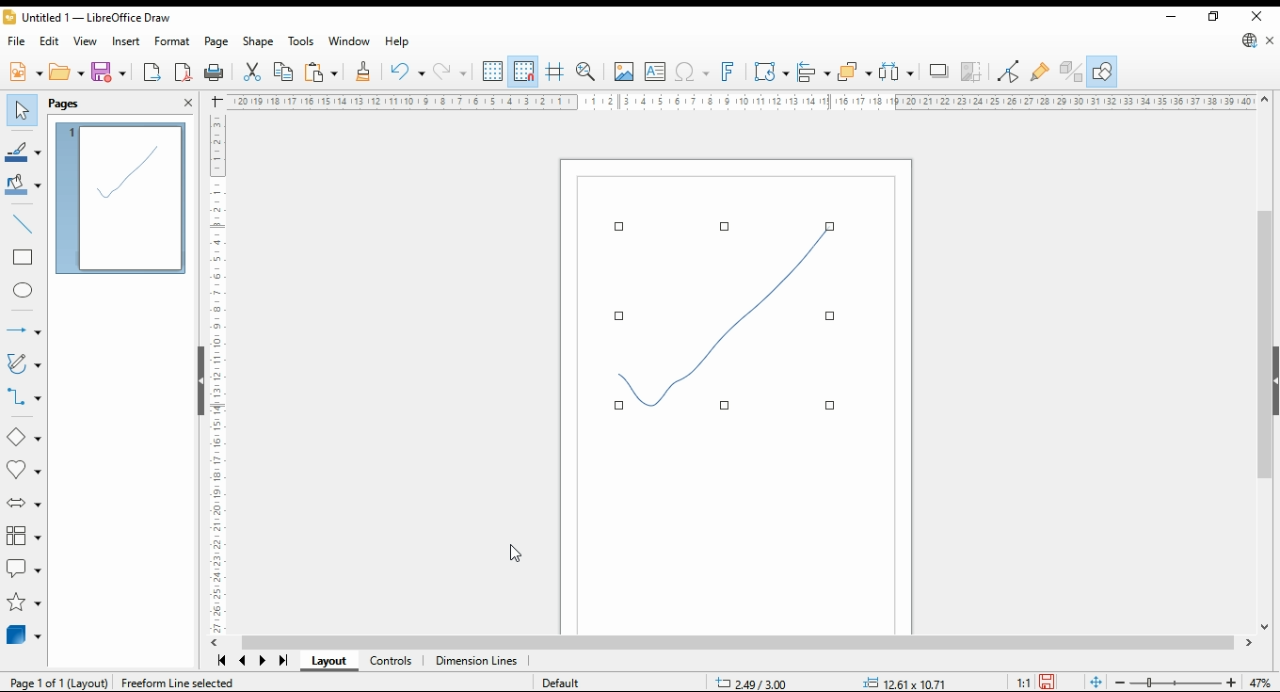 The width and height of the screenshot is (1280, 692). I want to click on arrange, so click(855, 72).